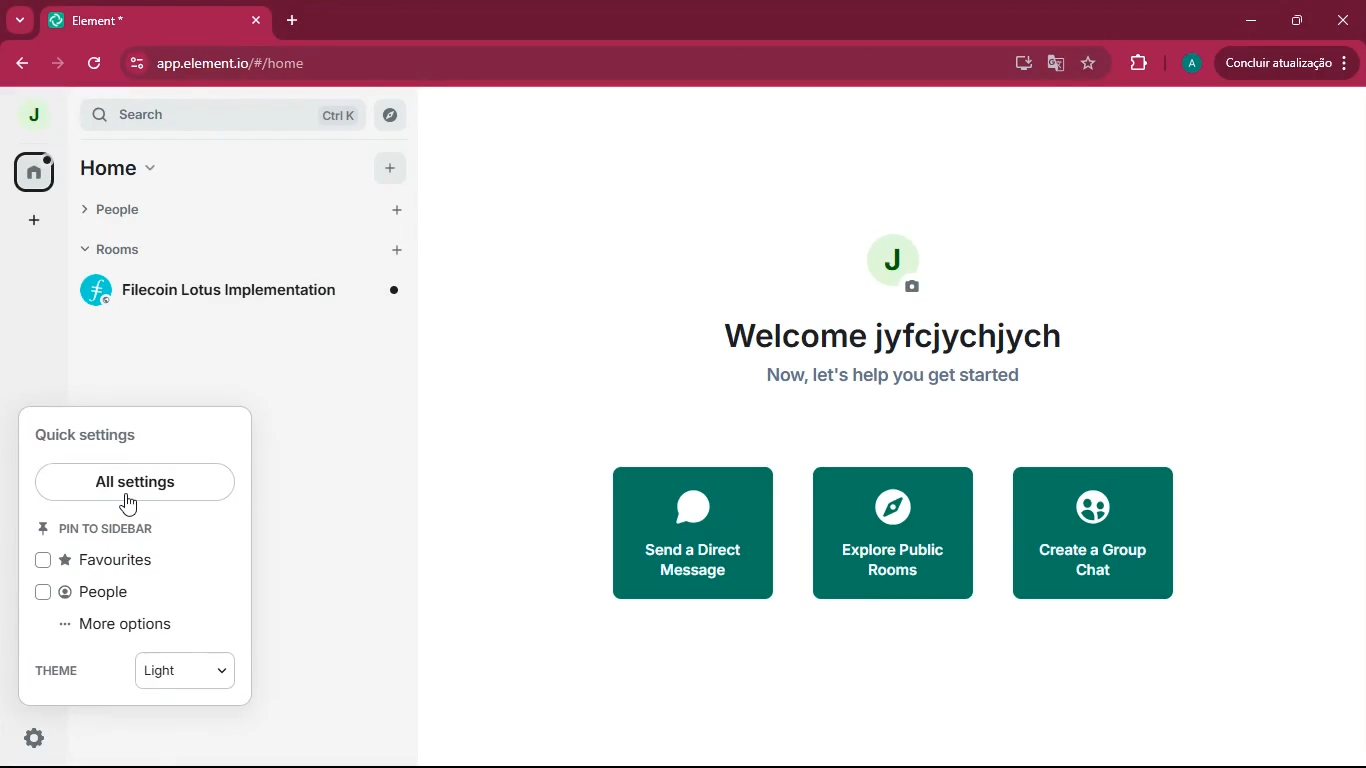 The width and height of the screenshot is (1366, 768). Describe the element at coordinates (27, 170) in the screenshot. I see `home` at that location.